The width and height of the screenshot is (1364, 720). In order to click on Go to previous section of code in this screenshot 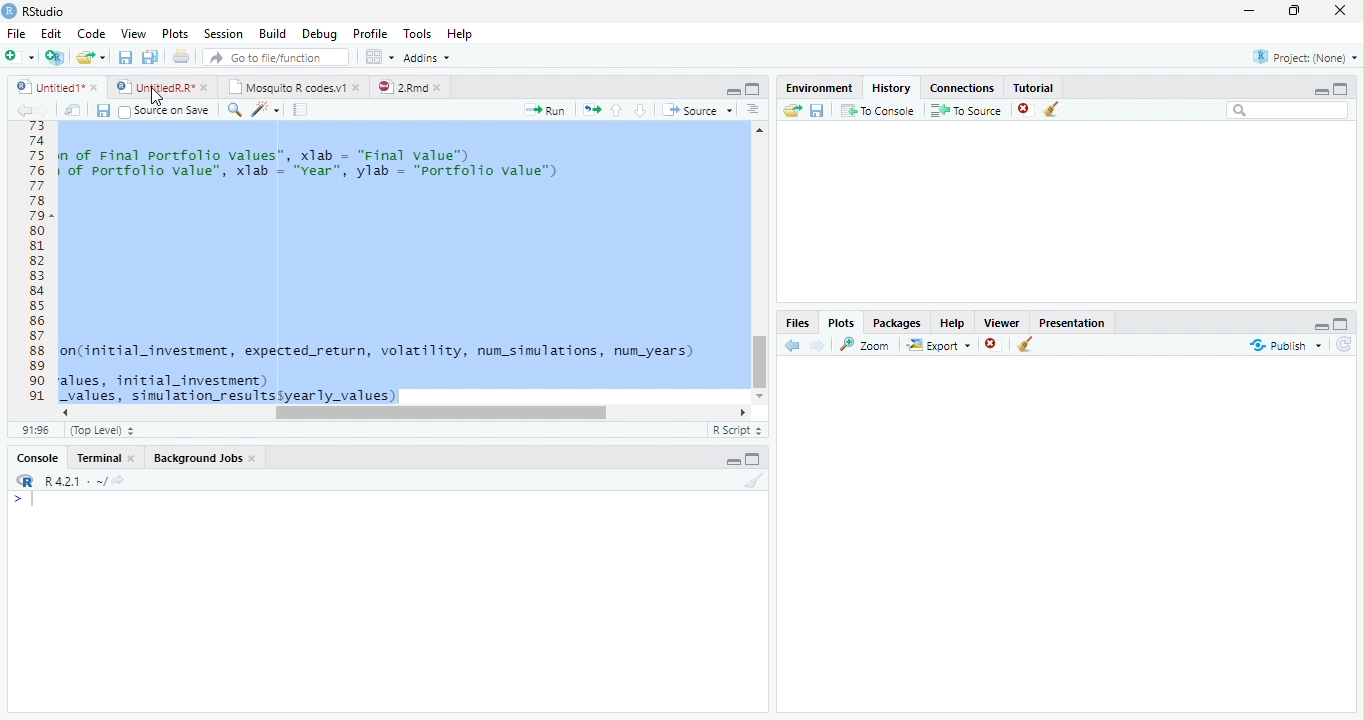, I will do `click(617, 112)`.